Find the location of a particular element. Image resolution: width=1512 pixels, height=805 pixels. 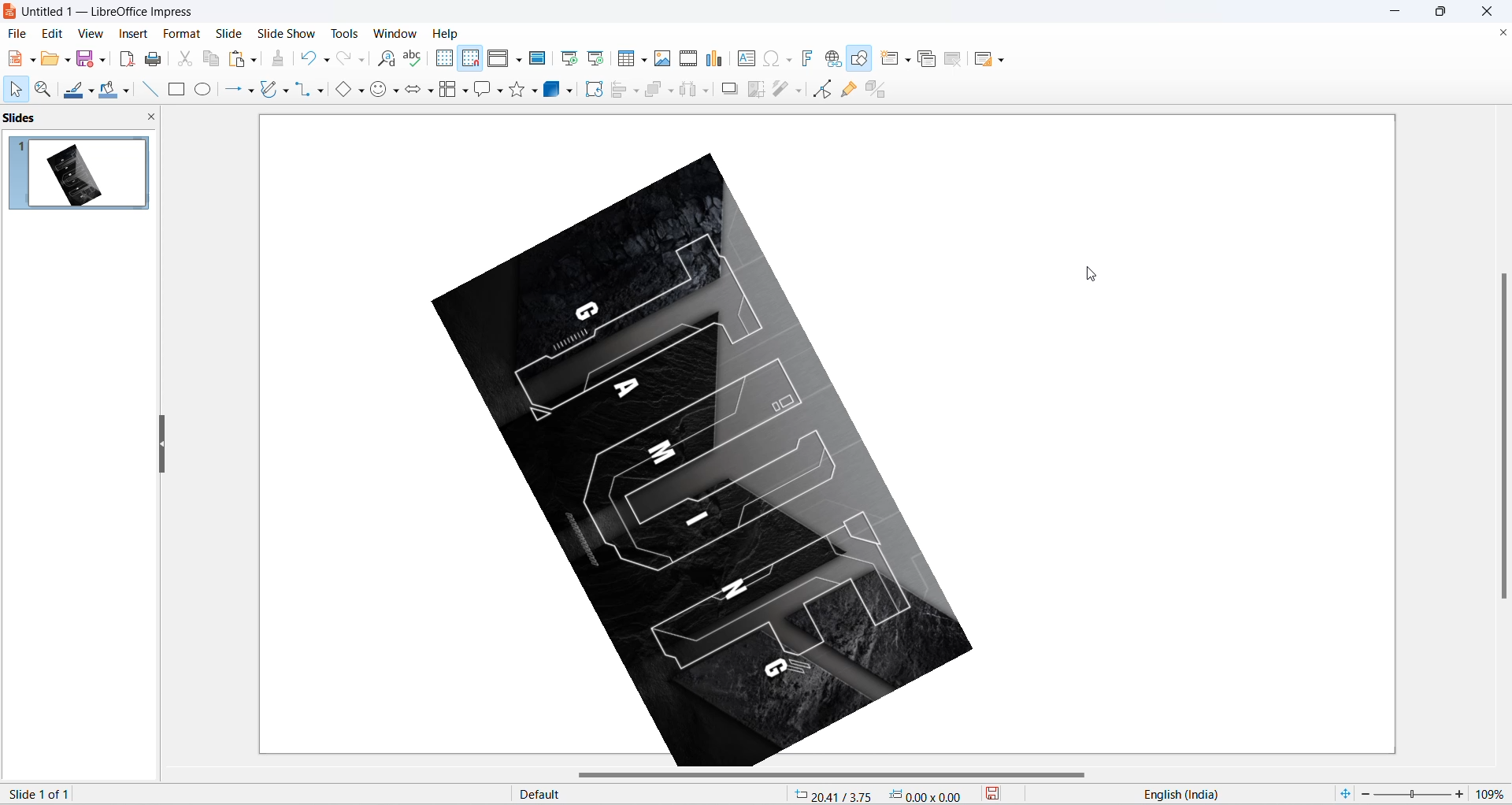

 is located at coordinates (20, 34).